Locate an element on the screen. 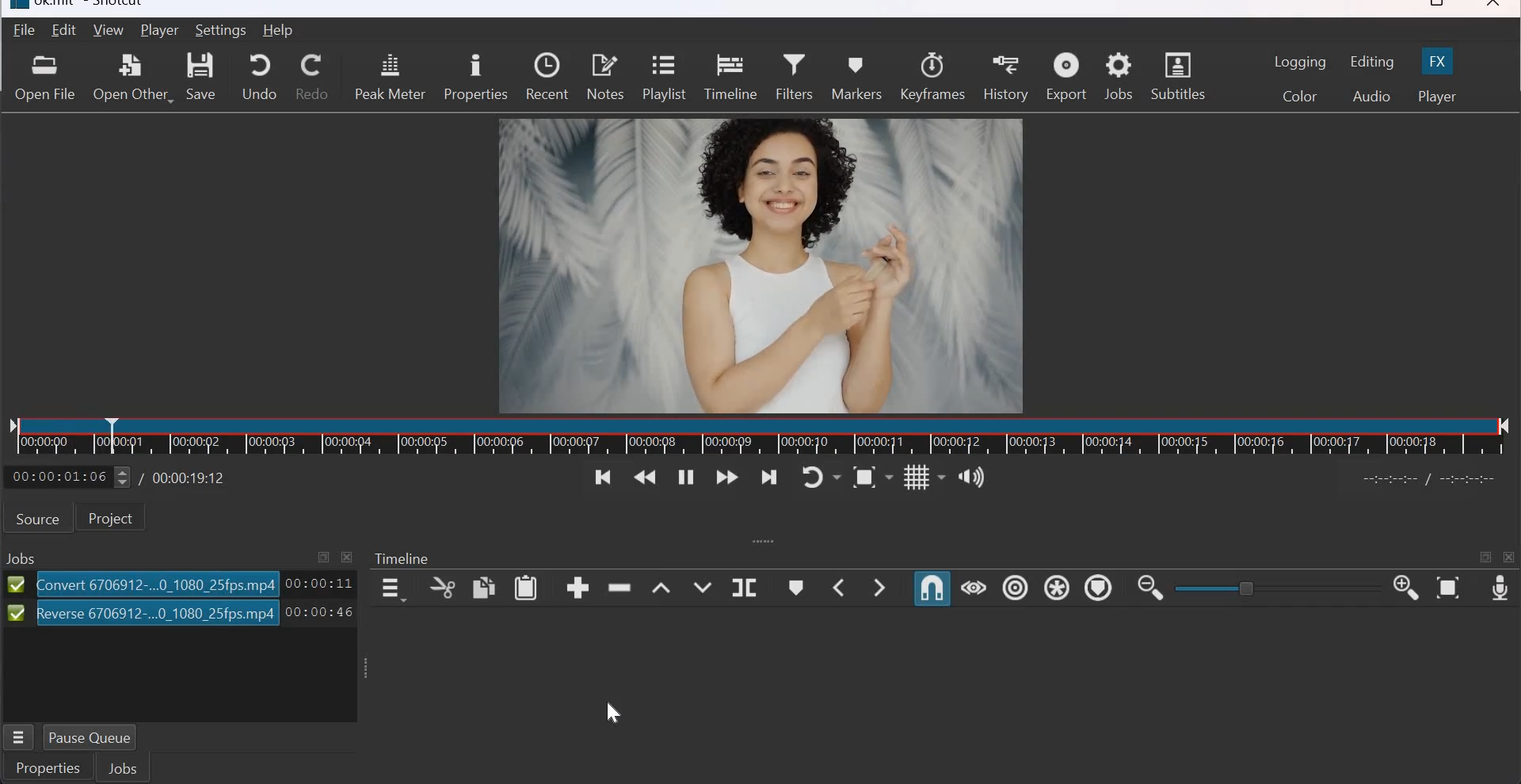 The width and height of the screenshot is (1521, 784). close is located at coordinates (1511, 558).